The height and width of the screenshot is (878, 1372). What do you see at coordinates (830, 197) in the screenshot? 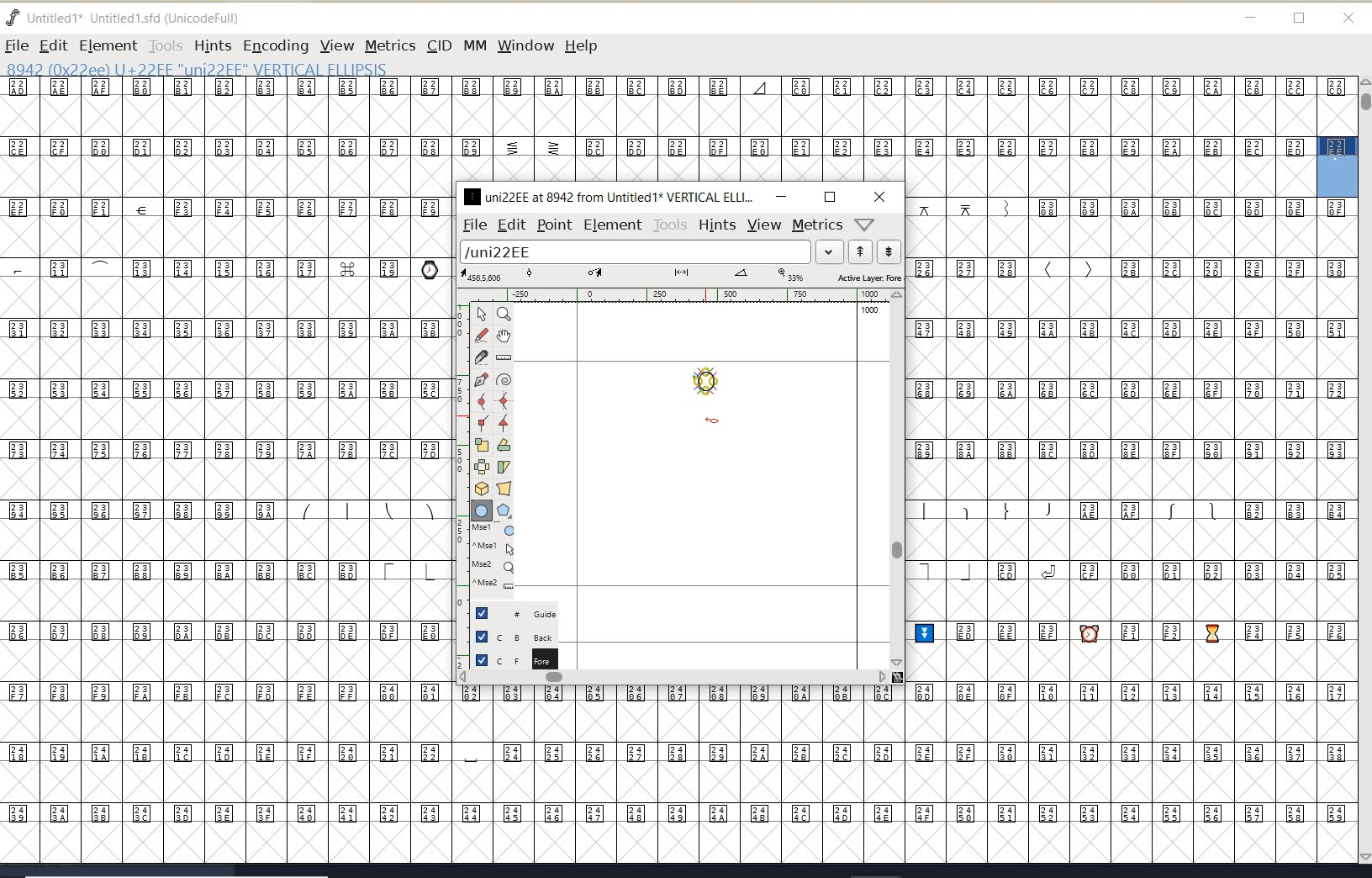
I see `restore` at bounding box center [830, 197].